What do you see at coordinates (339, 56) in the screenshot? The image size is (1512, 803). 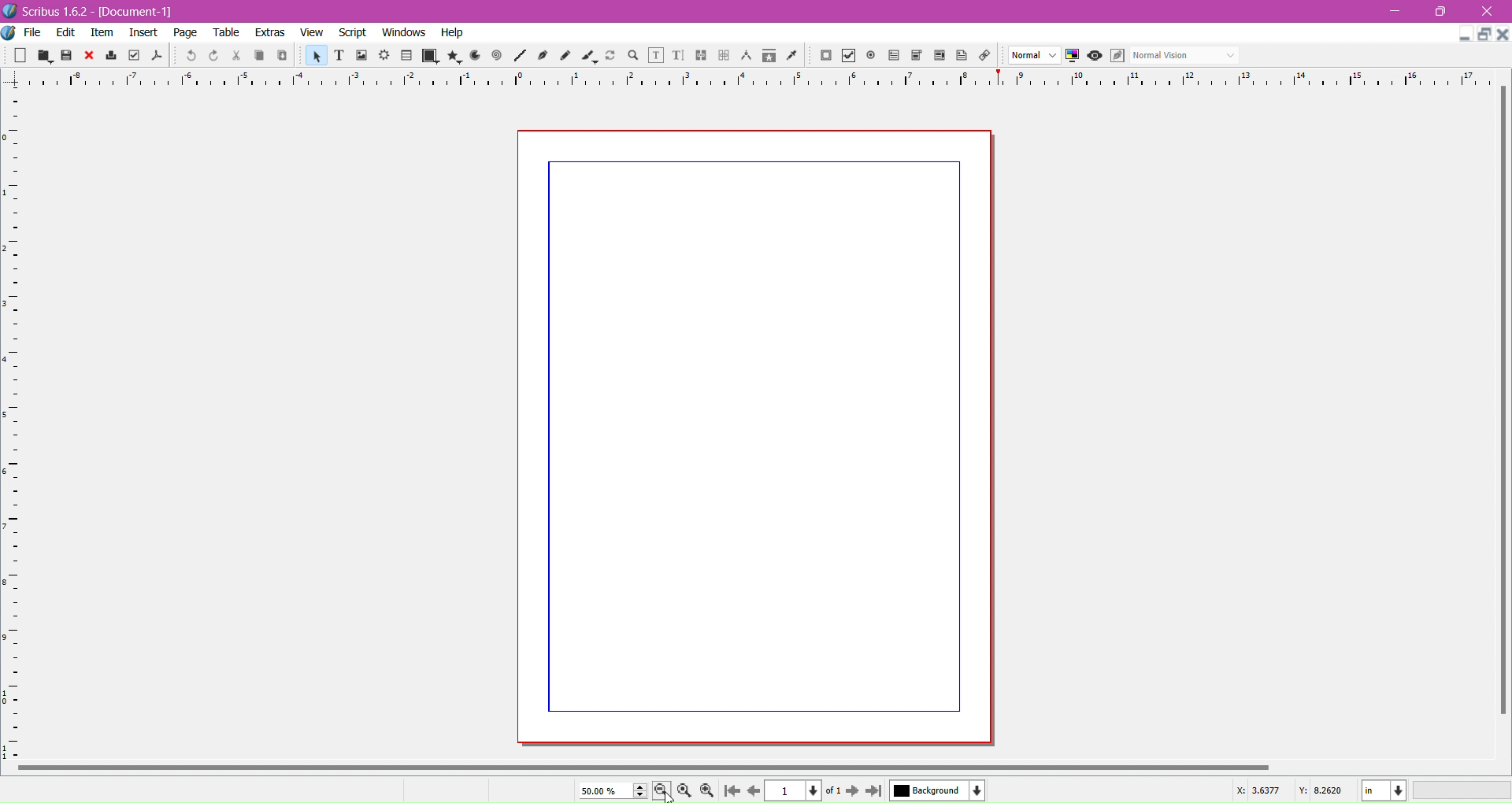 I see `Text Frame` at bounding box center [339, 56].